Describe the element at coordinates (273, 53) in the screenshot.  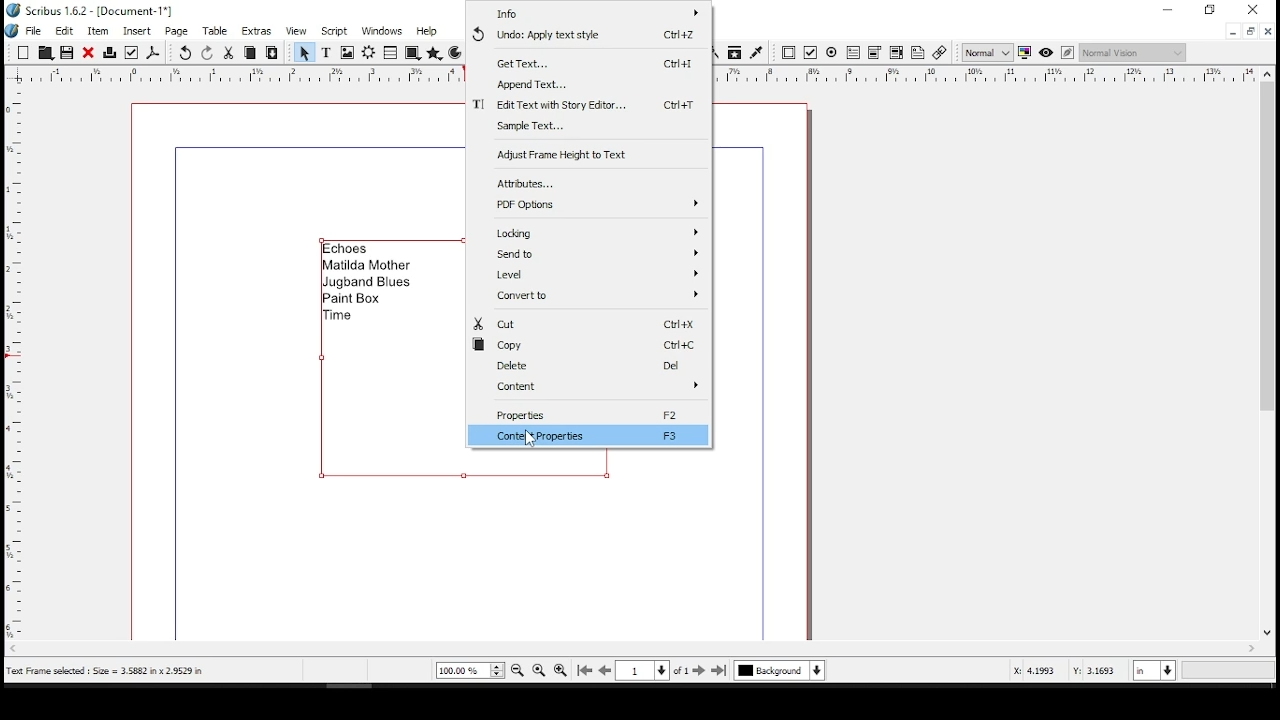
I see `paste` at that location.